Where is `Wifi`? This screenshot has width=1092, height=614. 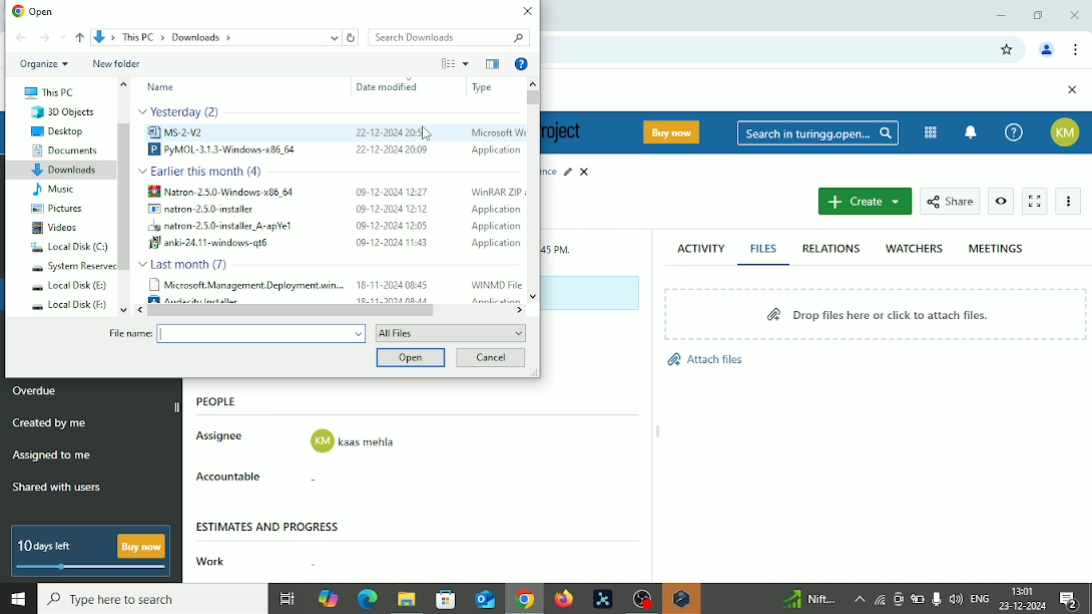 Wifi is located at coordinates (877, 599).